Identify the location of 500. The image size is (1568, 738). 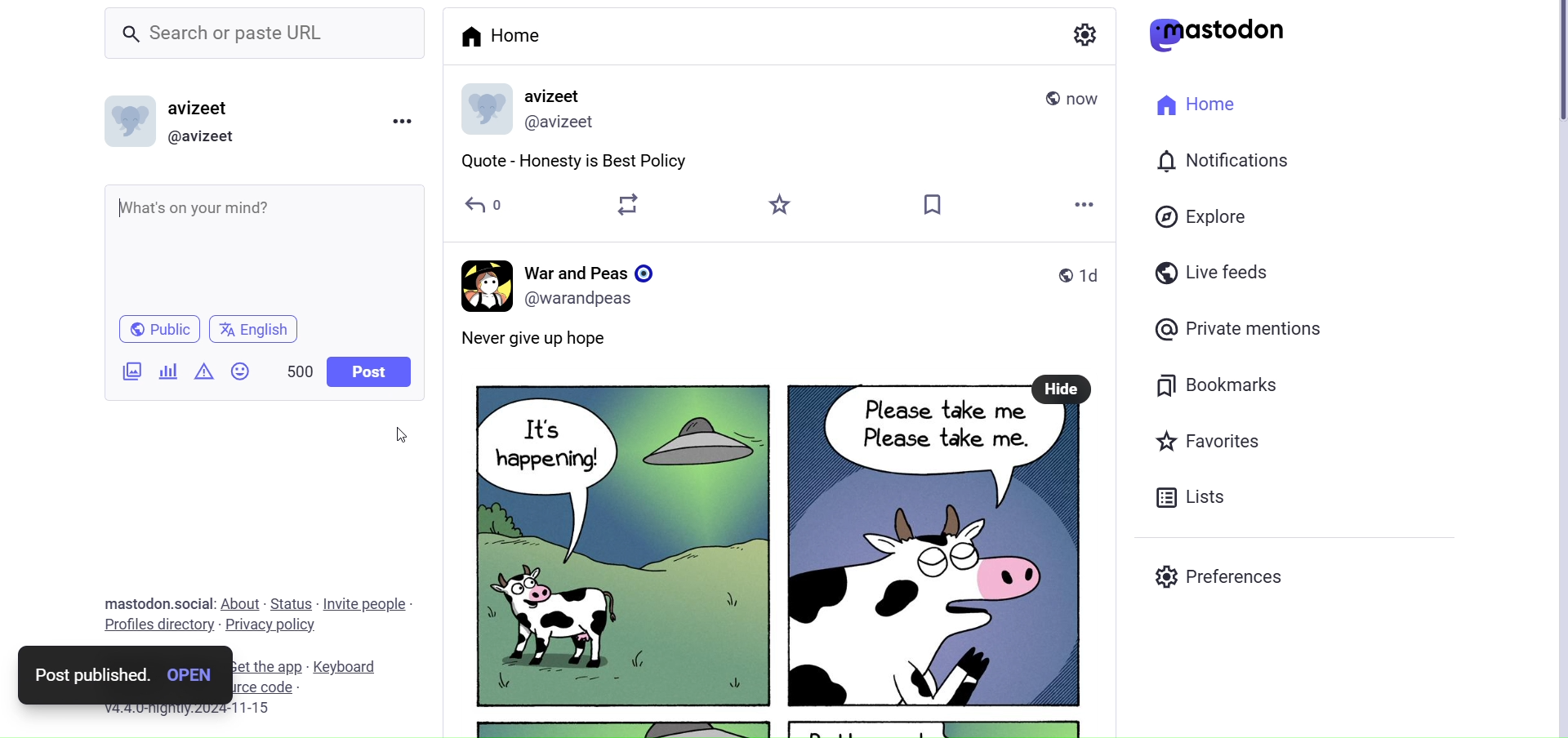
(292, 367).